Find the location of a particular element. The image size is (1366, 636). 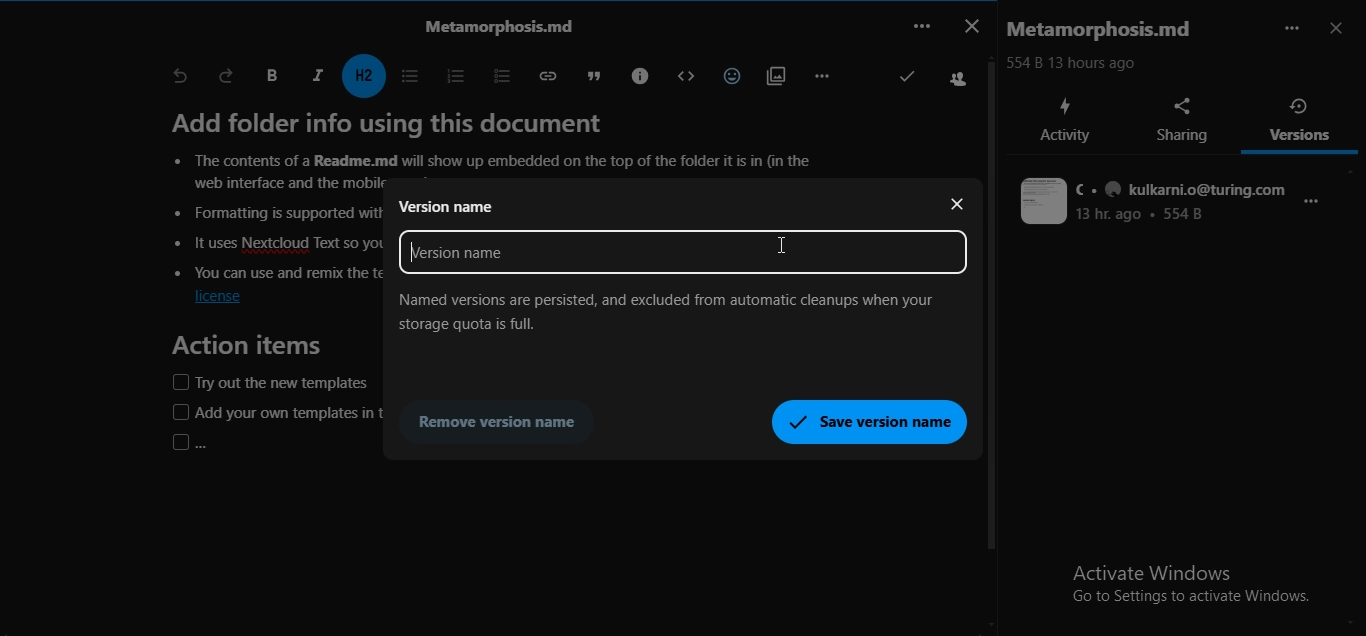

insert attachments is located at coordinates (773, 74).